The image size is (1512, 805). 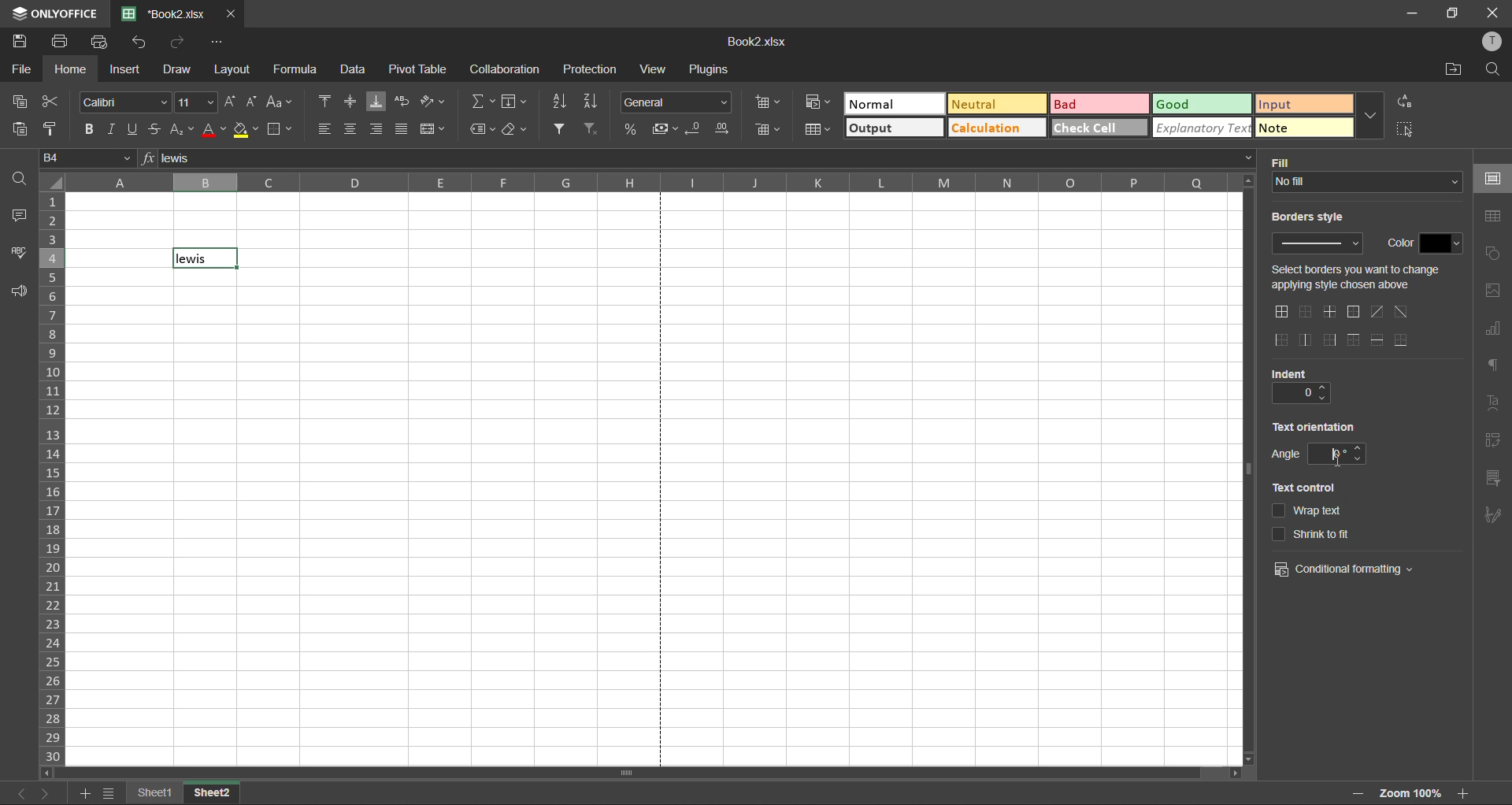 I want to click on formula bar, so click(x=707, y=161).